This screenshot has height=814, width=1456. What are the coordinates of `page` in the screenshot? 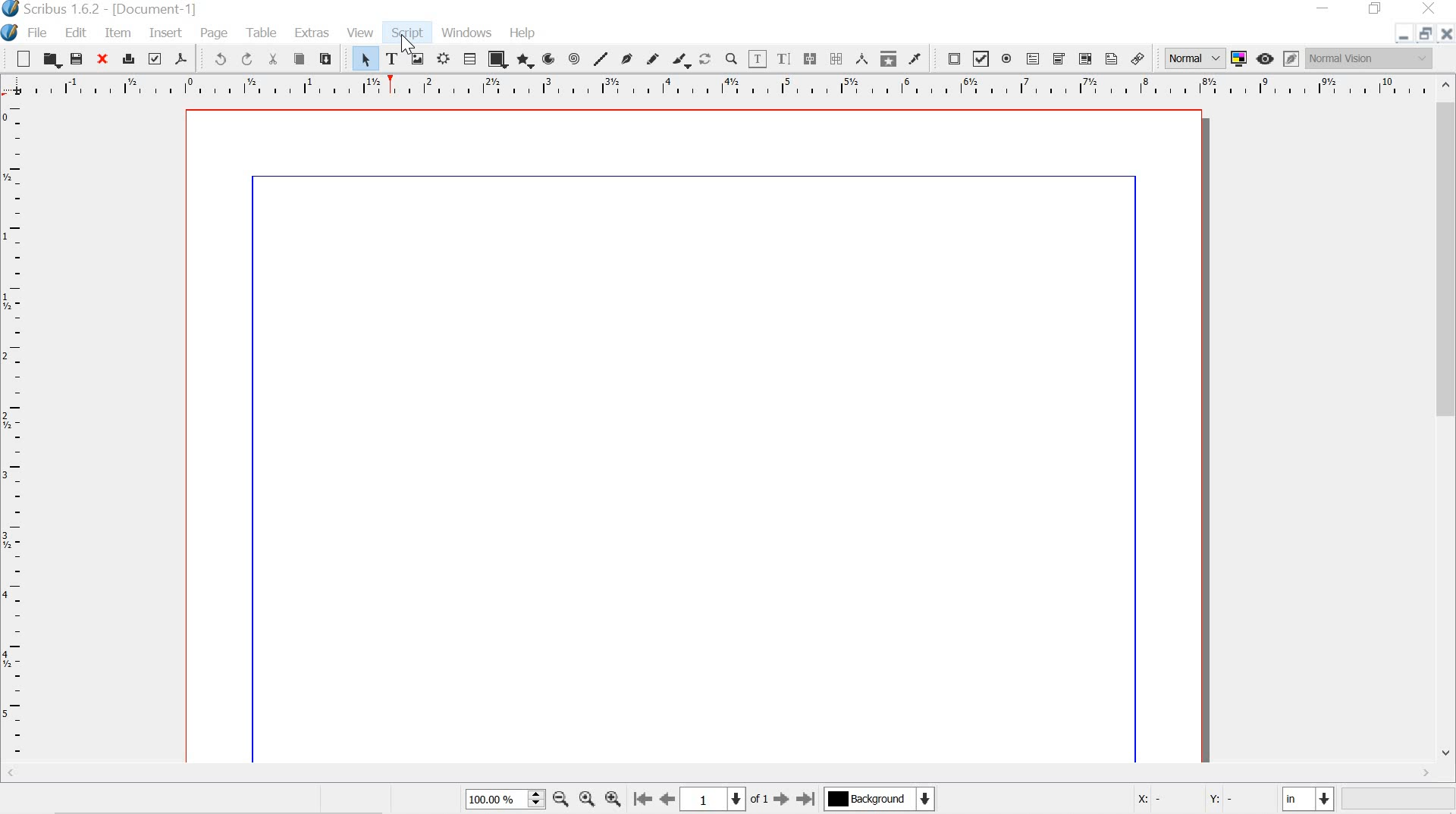 It's located at (218, 33).